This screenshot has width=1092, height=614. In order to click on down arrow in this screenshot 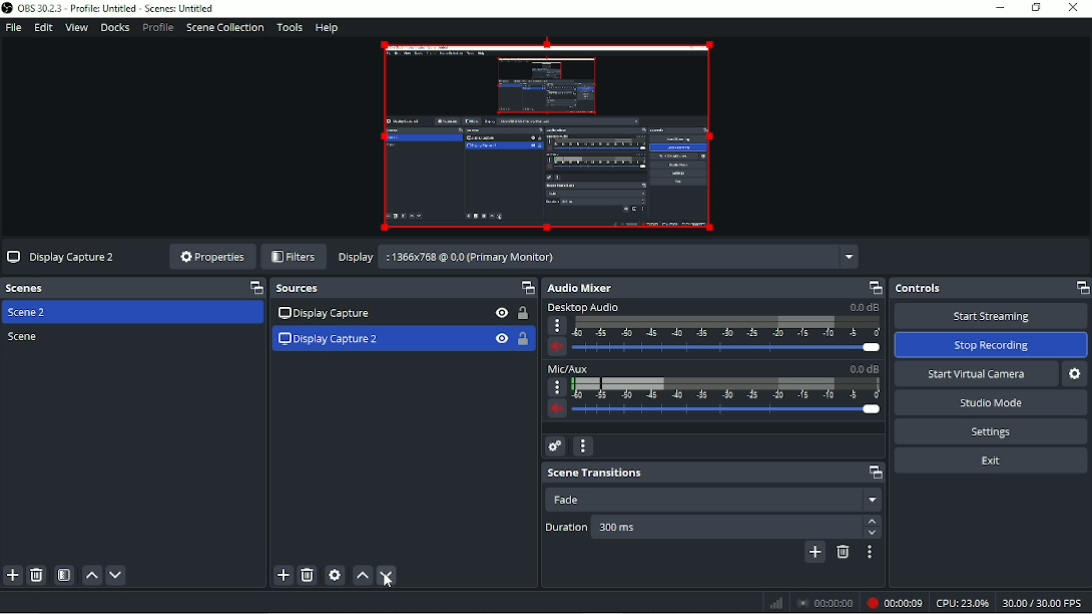, I will do `click(873, 534)`.